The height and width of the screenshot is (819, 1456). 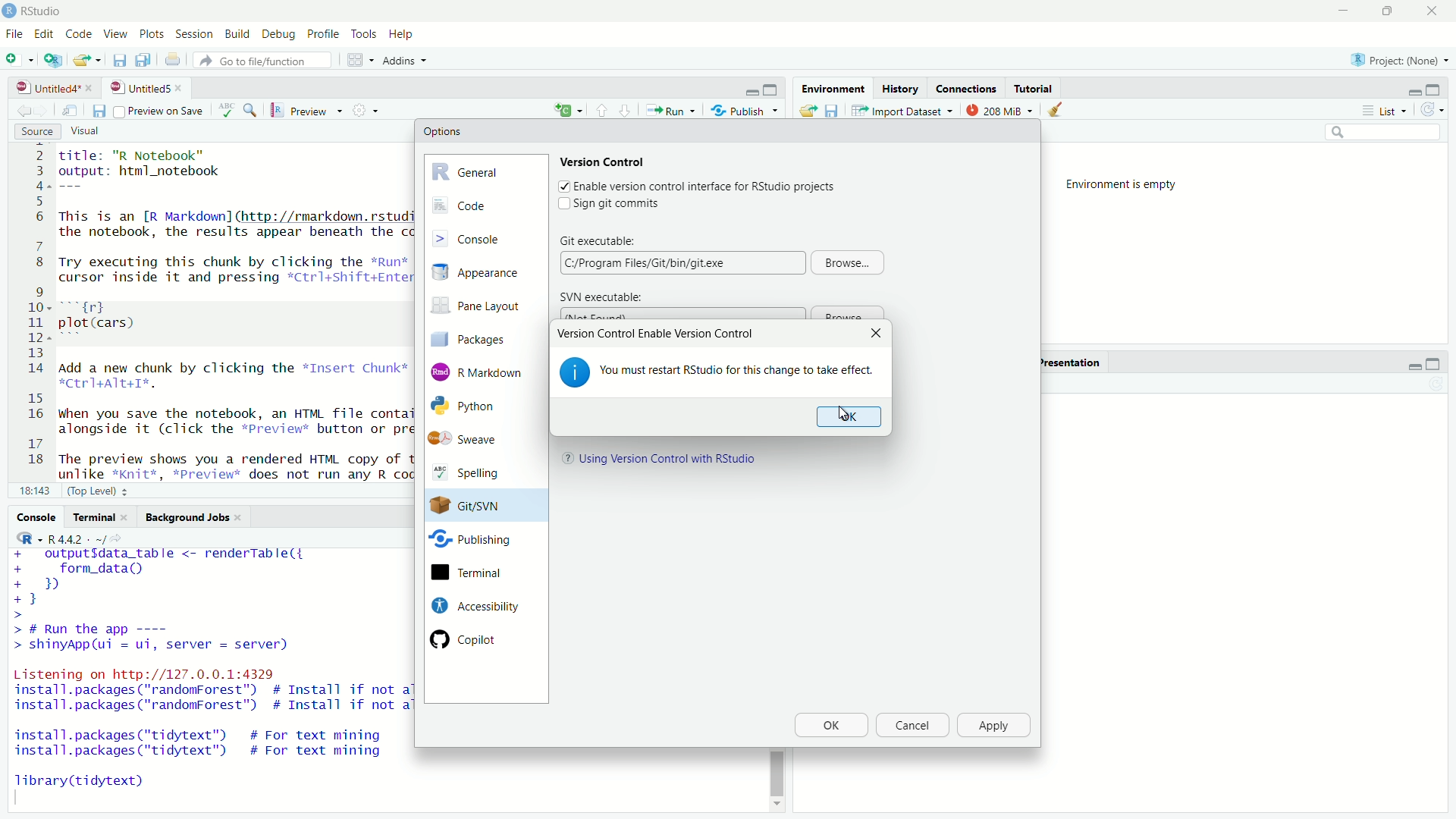 I want to click on 2 3 4 5 6 7 8 9 10 11 12 13 14 15 16 17 18, so click(x=32, y=311).